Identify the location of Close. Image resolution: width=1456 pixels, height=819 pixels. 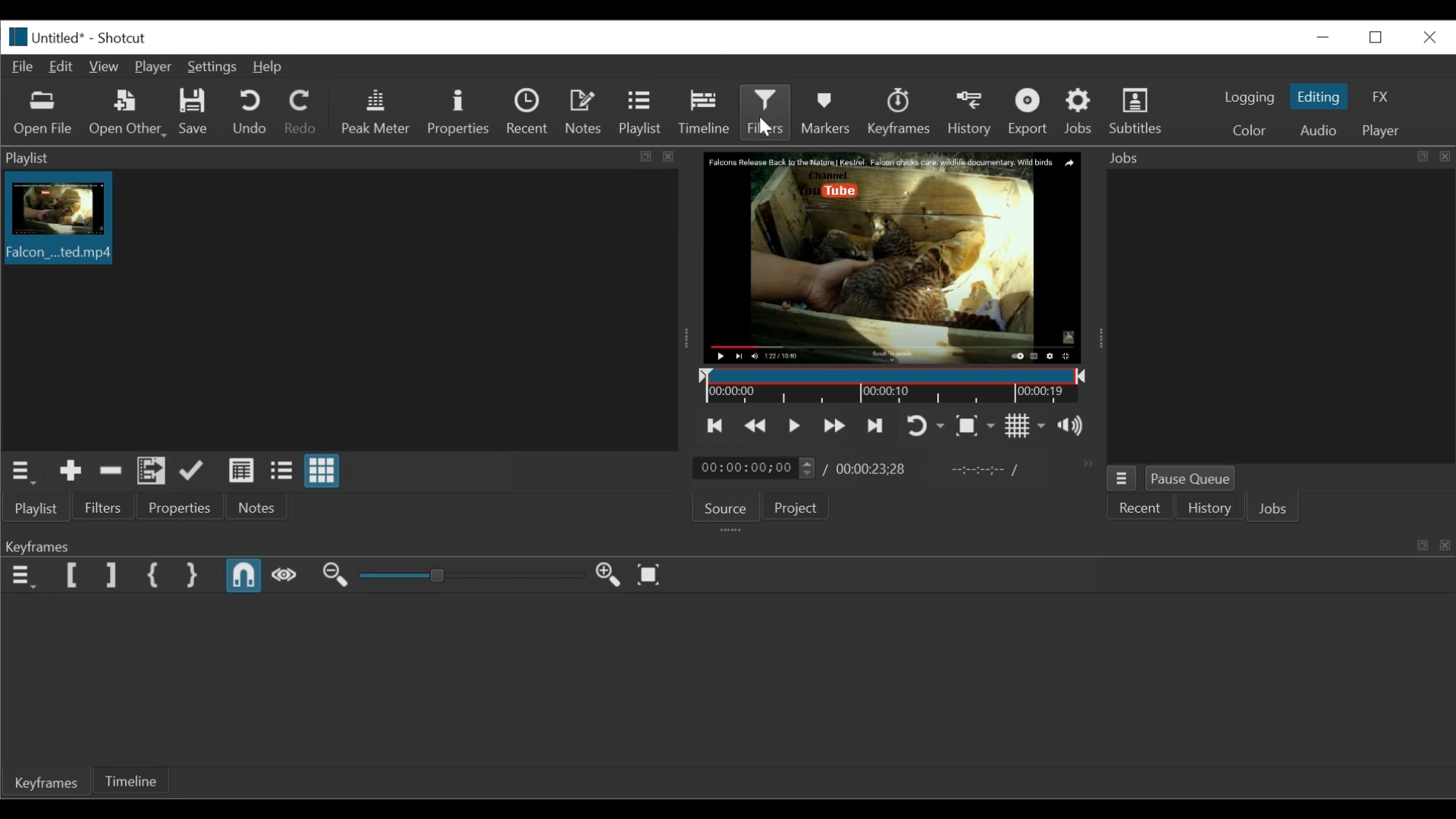
(1429, 38).